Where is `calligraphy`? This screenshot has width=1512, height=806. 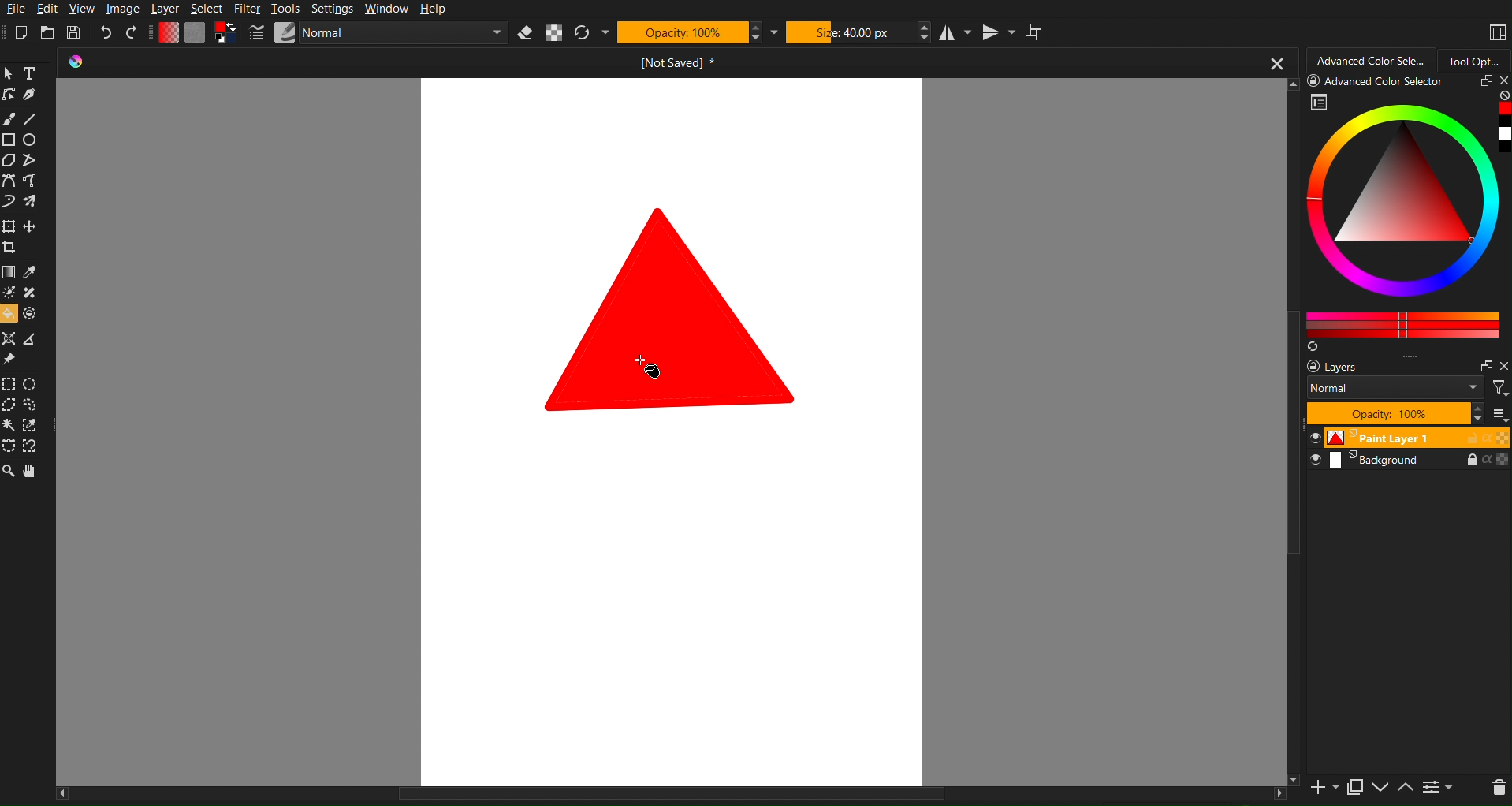
calligraphy is located at coordinates (32, 95).